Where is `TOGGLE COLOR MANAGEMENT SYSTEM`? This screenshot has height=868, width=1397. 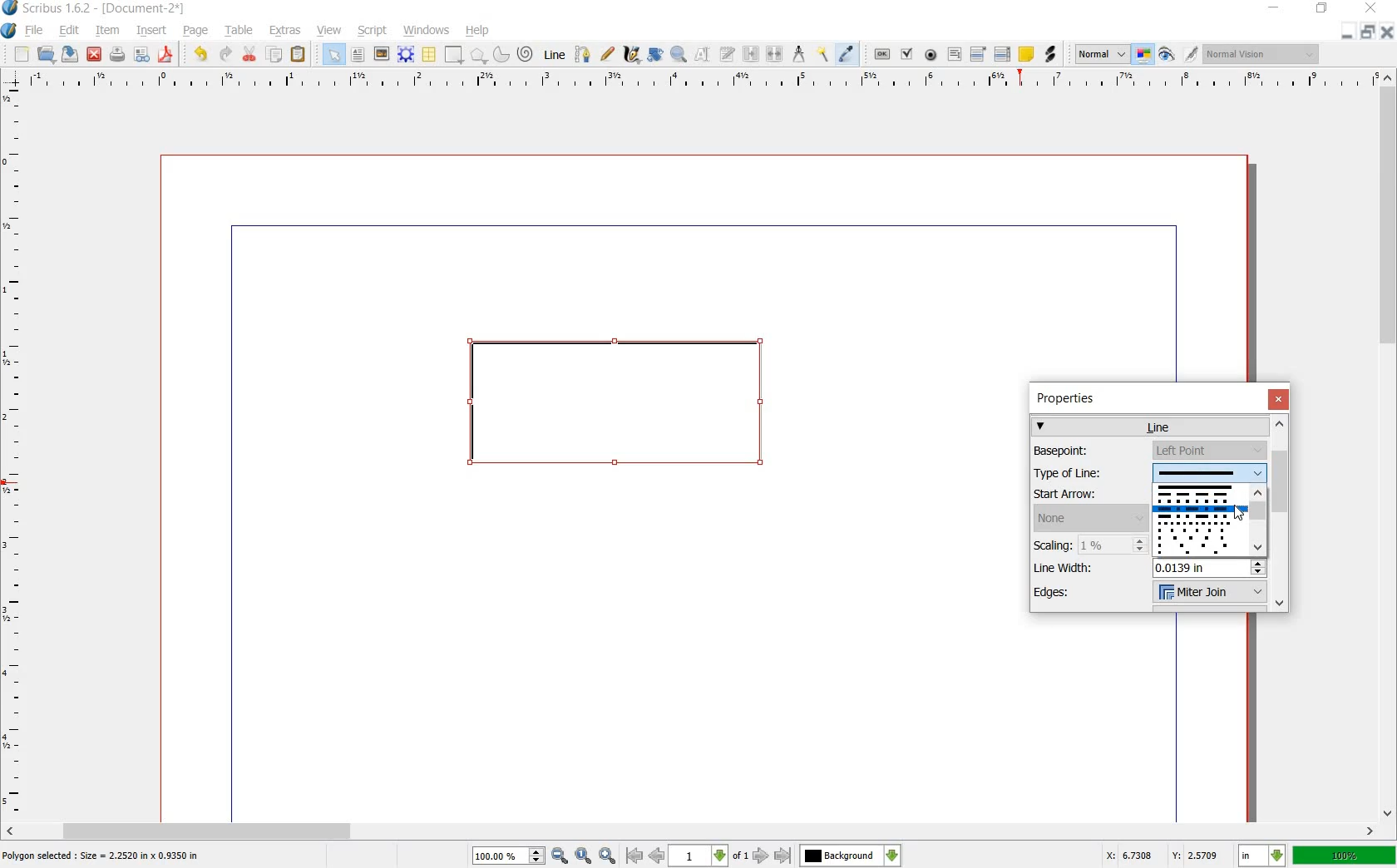 TOGGLE COLOR MANAGEMENT SYSTEM is located at coordinates (1145, 56).